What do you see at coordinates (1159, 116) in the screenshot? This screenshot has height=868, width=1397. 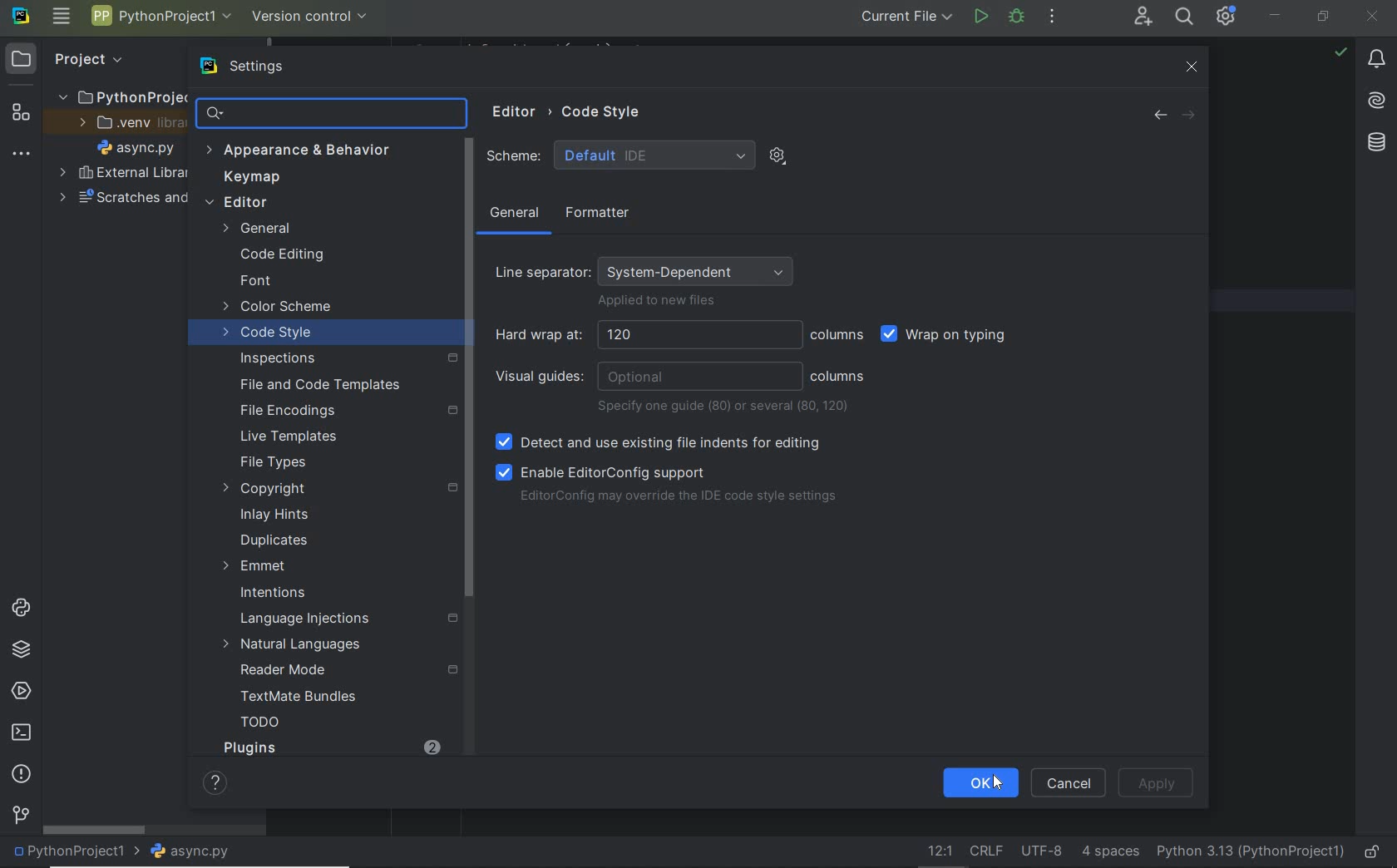 I see `back` at bounding box center [1159, 116].